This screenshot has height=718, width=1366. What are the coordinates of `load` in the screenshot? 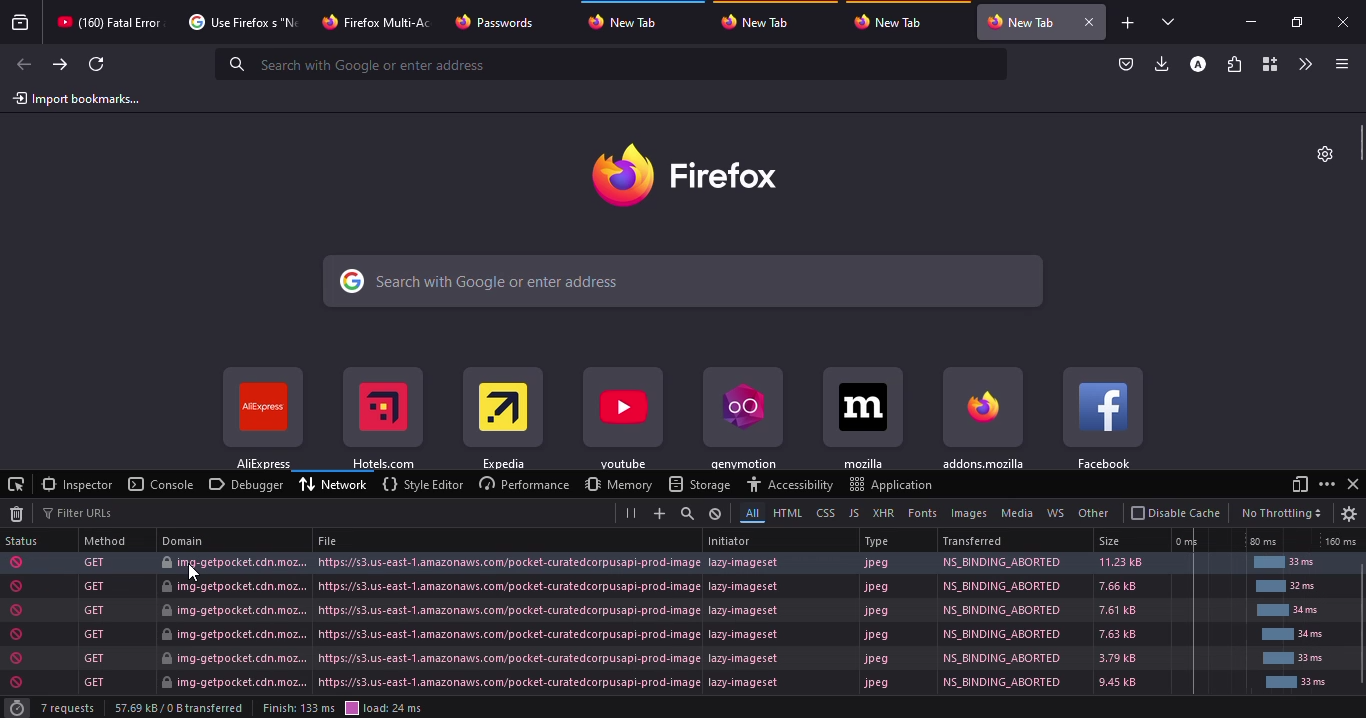 It's located at (384, 707).